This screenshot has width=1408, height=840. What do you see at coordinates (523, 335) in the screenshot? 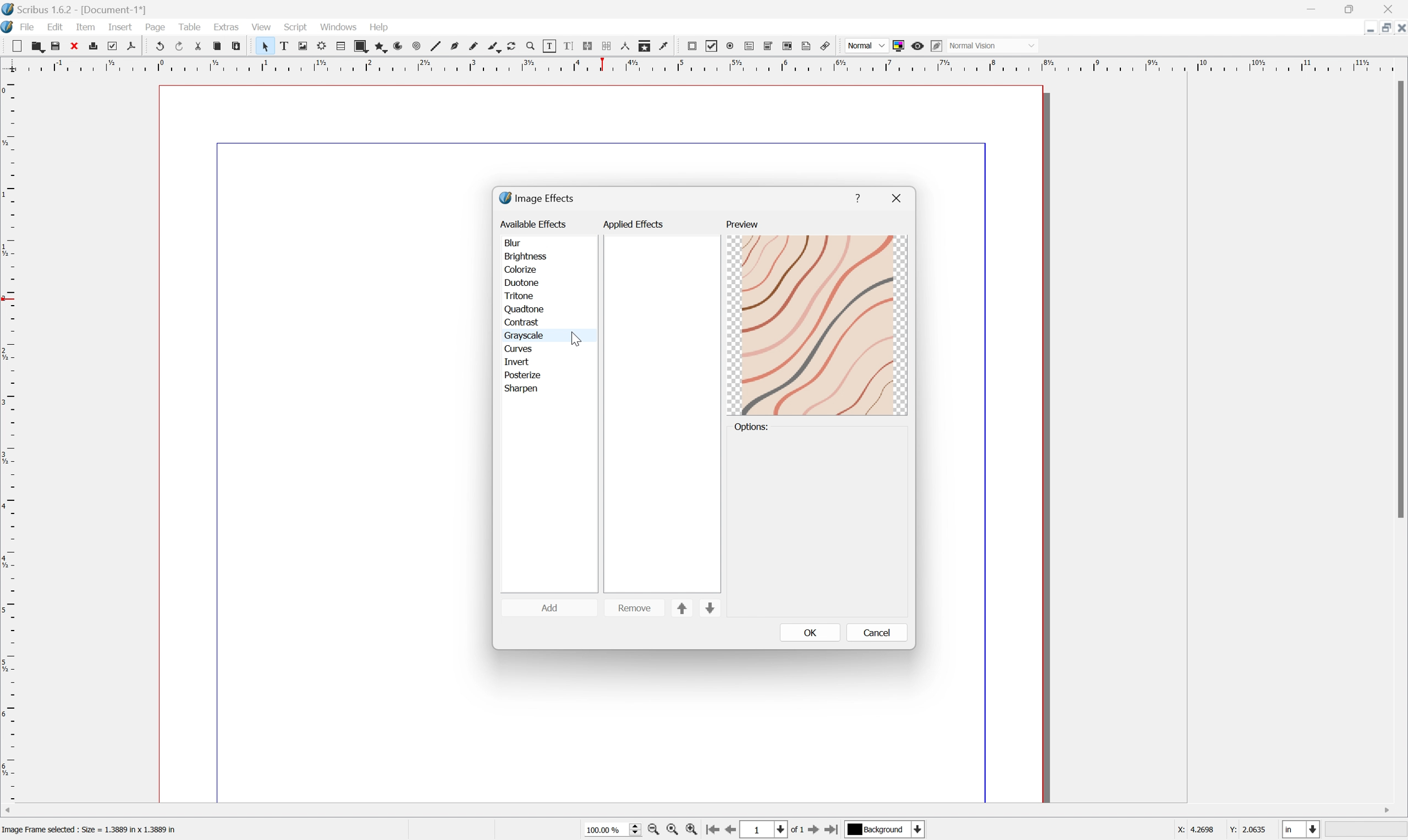
I see `grayscale` at bounding box center [523, 335].